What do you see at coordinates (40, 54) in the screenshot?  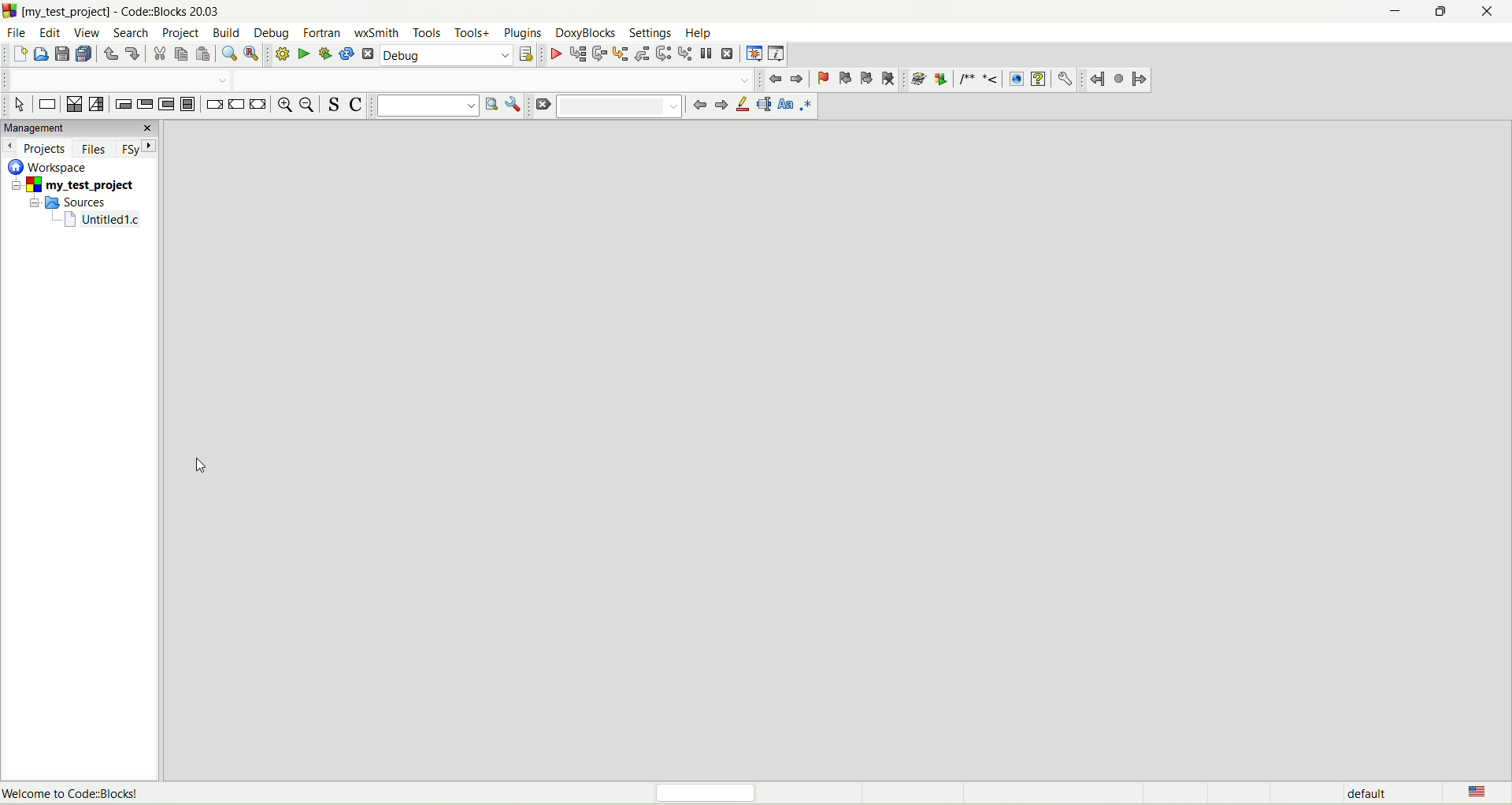 I see `open` at bounding box center [40, 54].